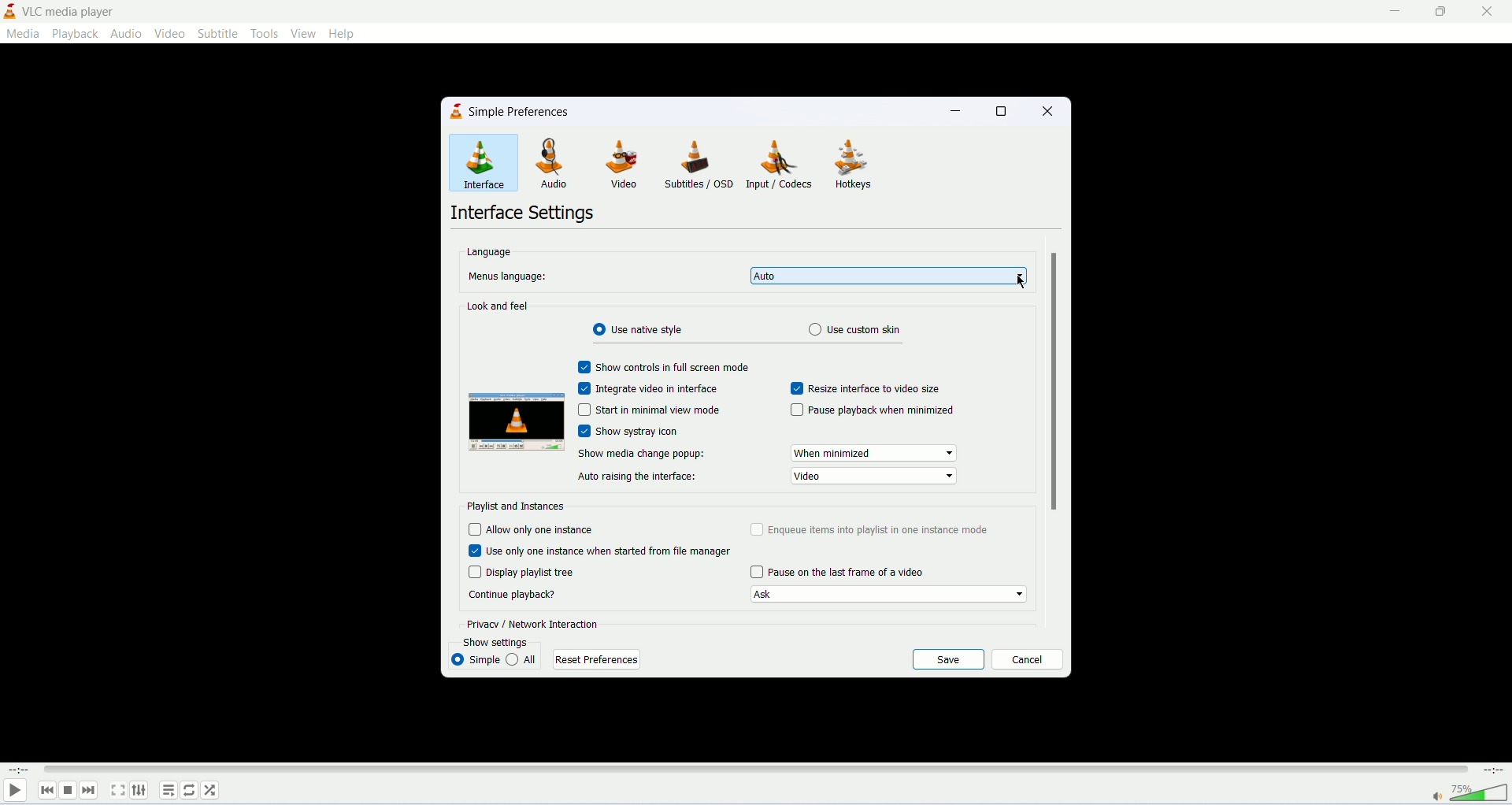  What do you see at coordinates (699, 165) in the screenshot?
I see `subtitles` at bounding box center [699, 165].